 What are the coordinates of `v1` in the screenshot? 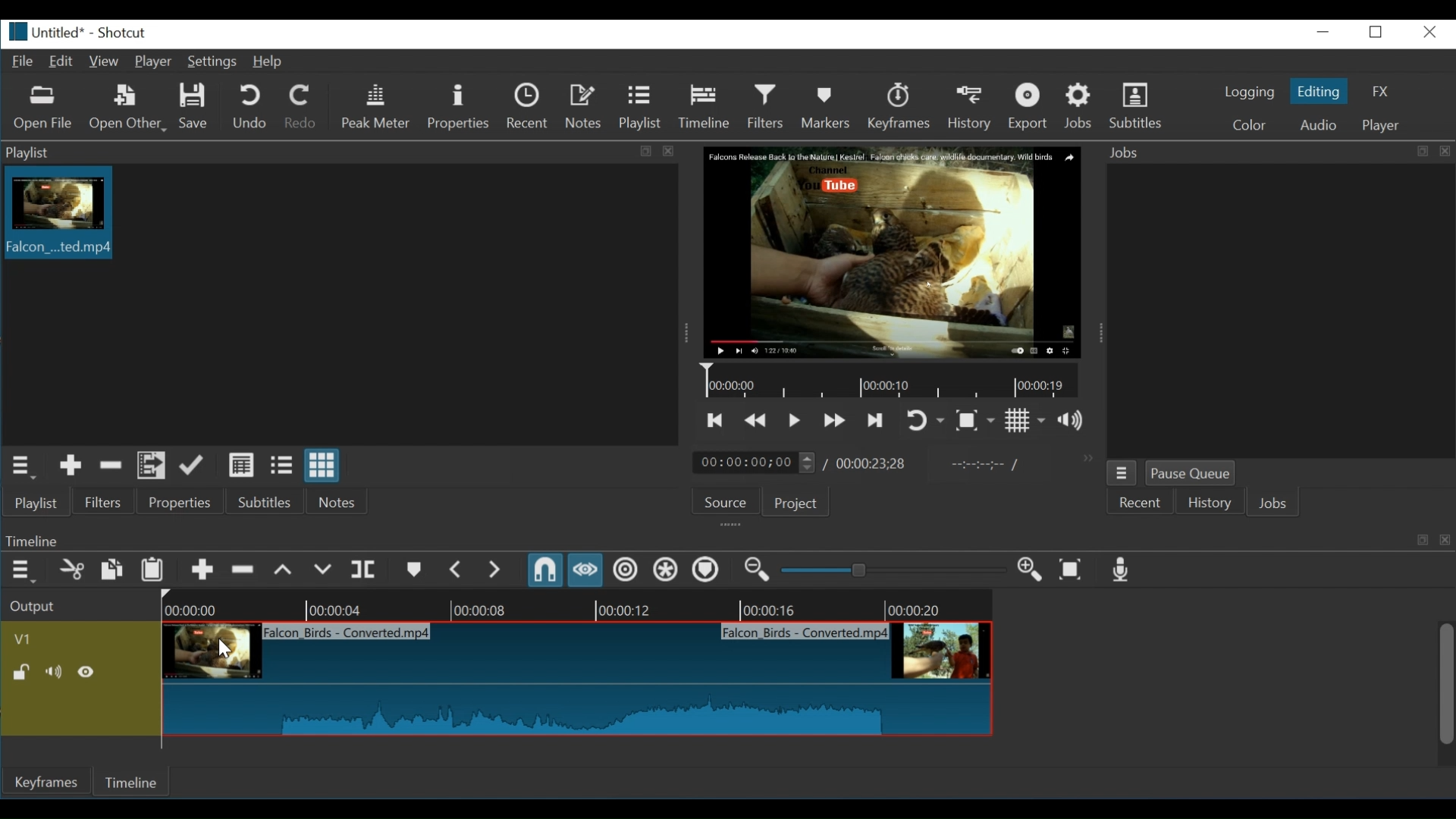 It's located at (29, 636).